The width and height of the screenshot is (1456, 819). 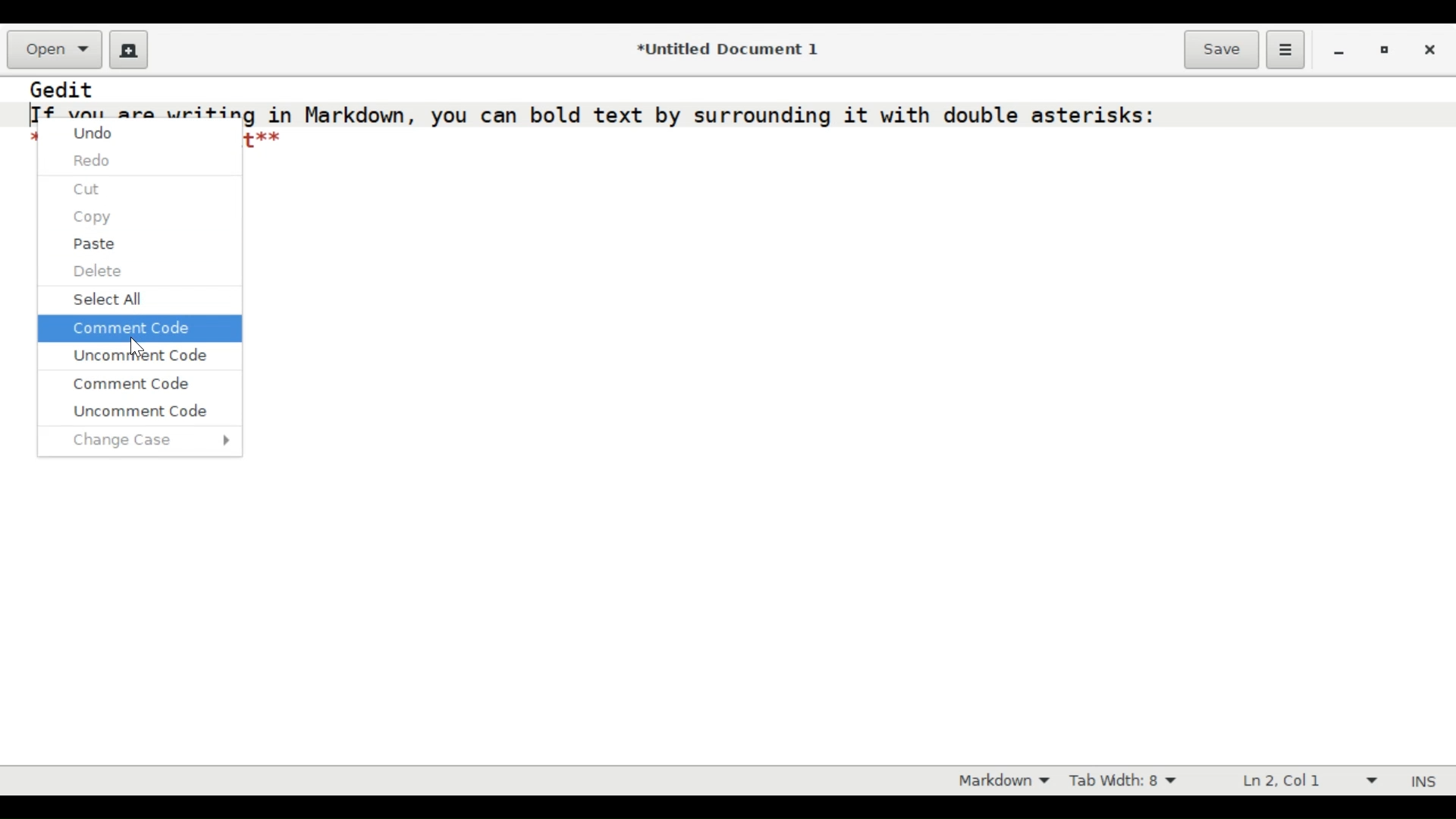 What do you see at coordinates (96, 218) in the screenshot?
I see `Copy` at bounding box center [96, 218].